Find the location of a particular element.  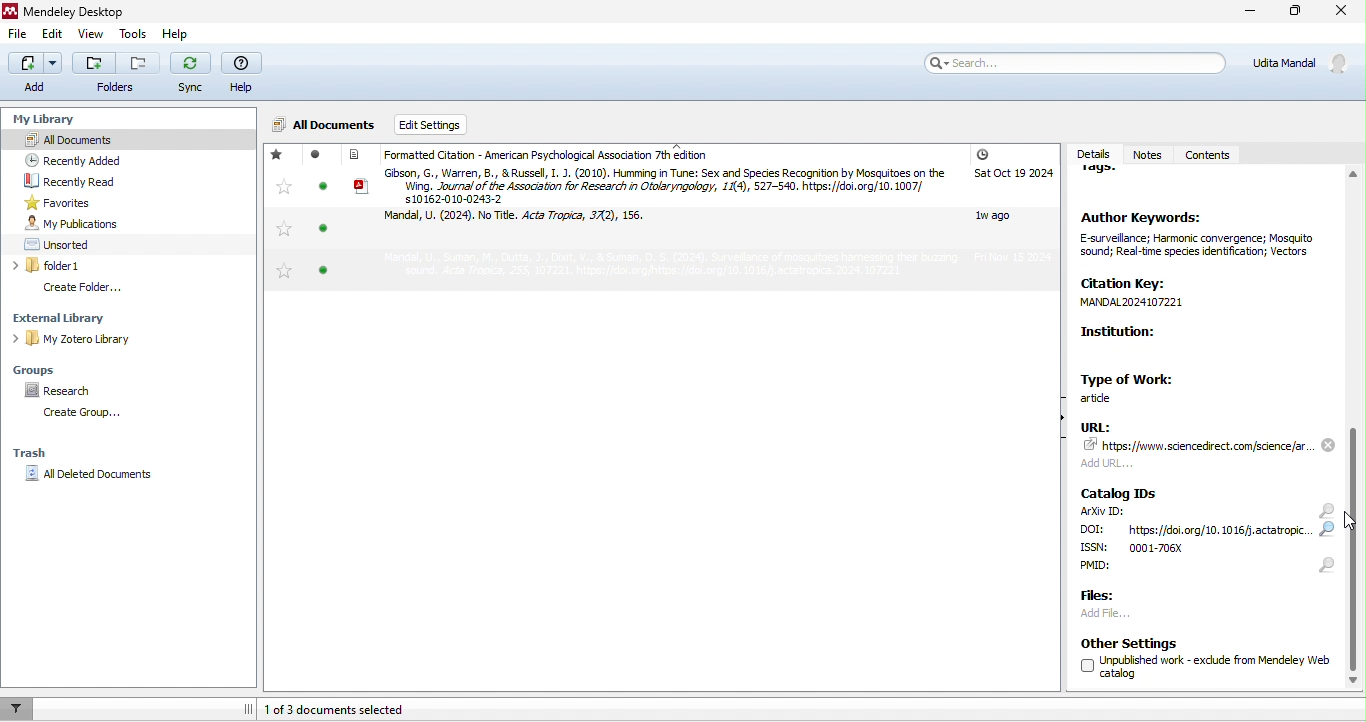

add is located at coordinates (35, 72).